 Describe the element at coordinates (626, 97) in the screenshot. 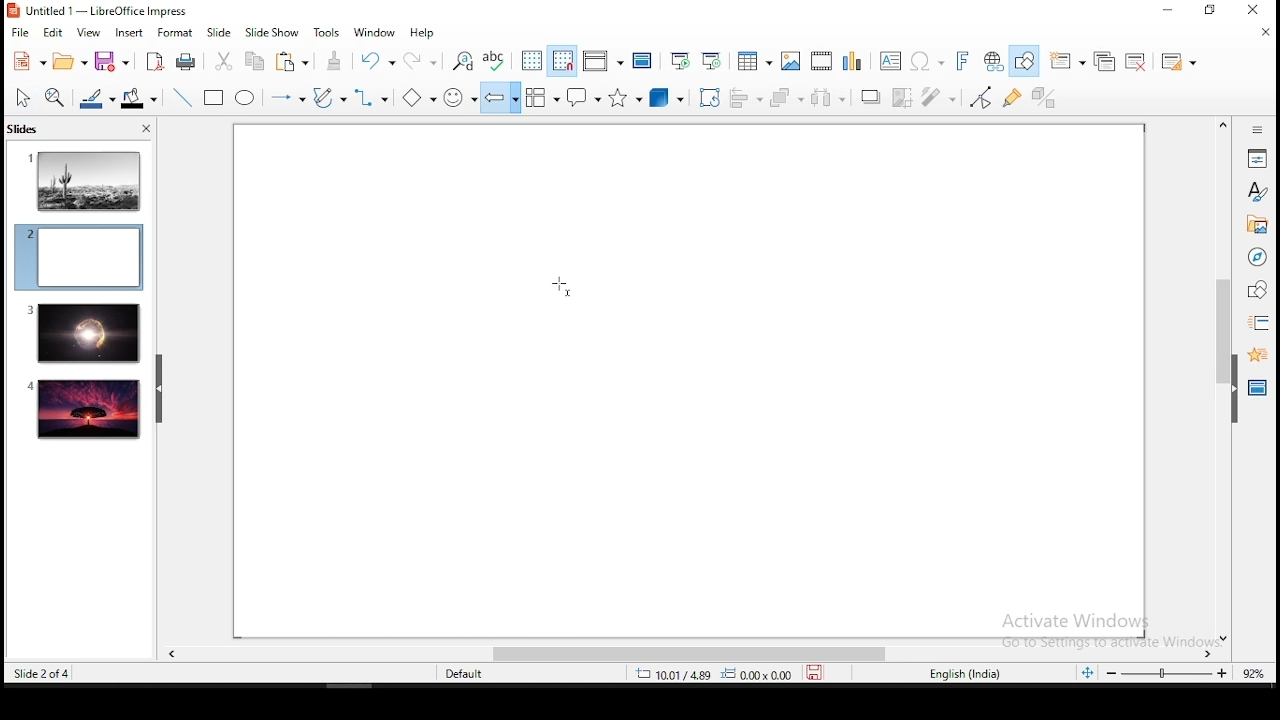

I see `stars and banners` at that location.